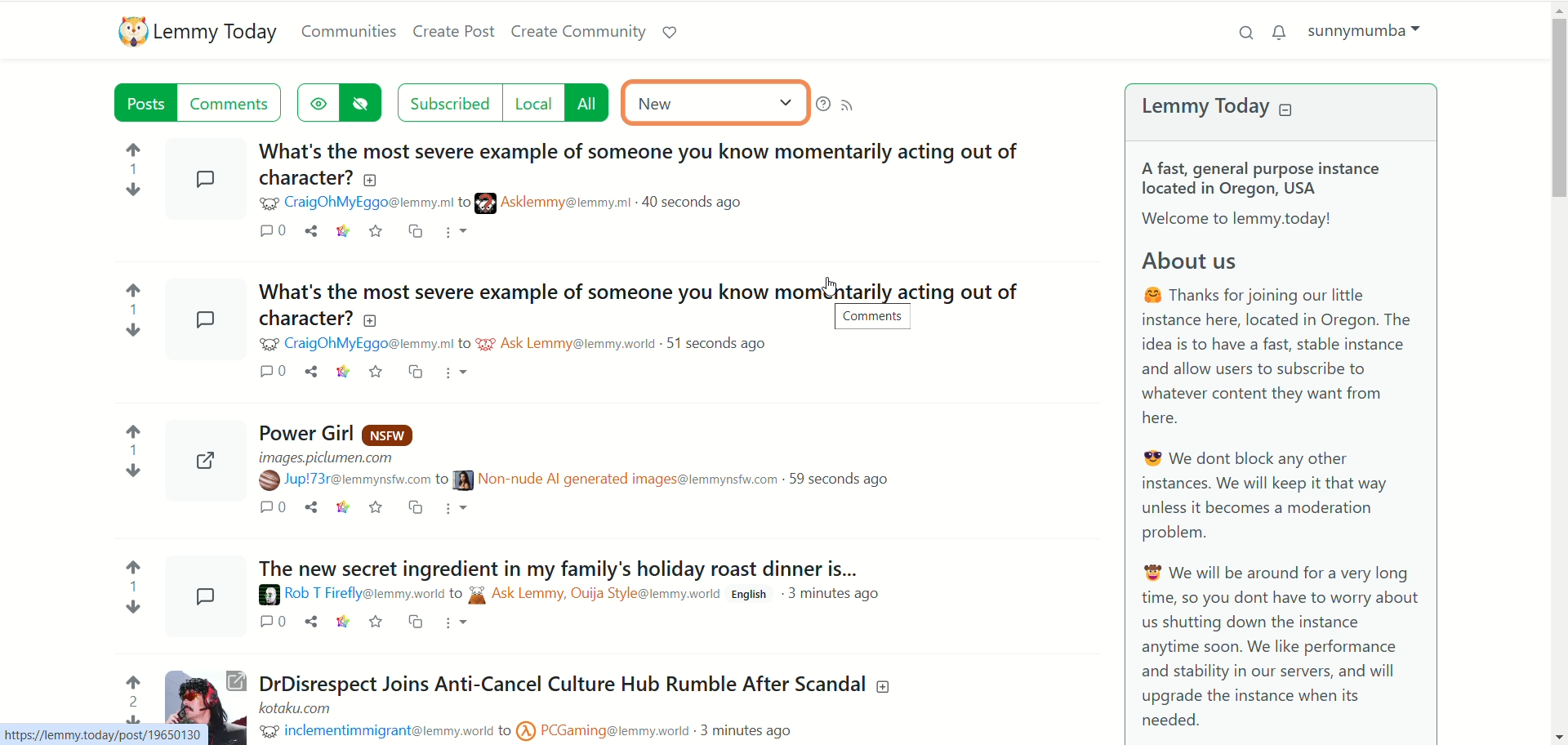 The width and height of the screenshot is (1568, 745). Describe the element at coordinates (267, 370) in the screenshot. I see `comment` at that location.